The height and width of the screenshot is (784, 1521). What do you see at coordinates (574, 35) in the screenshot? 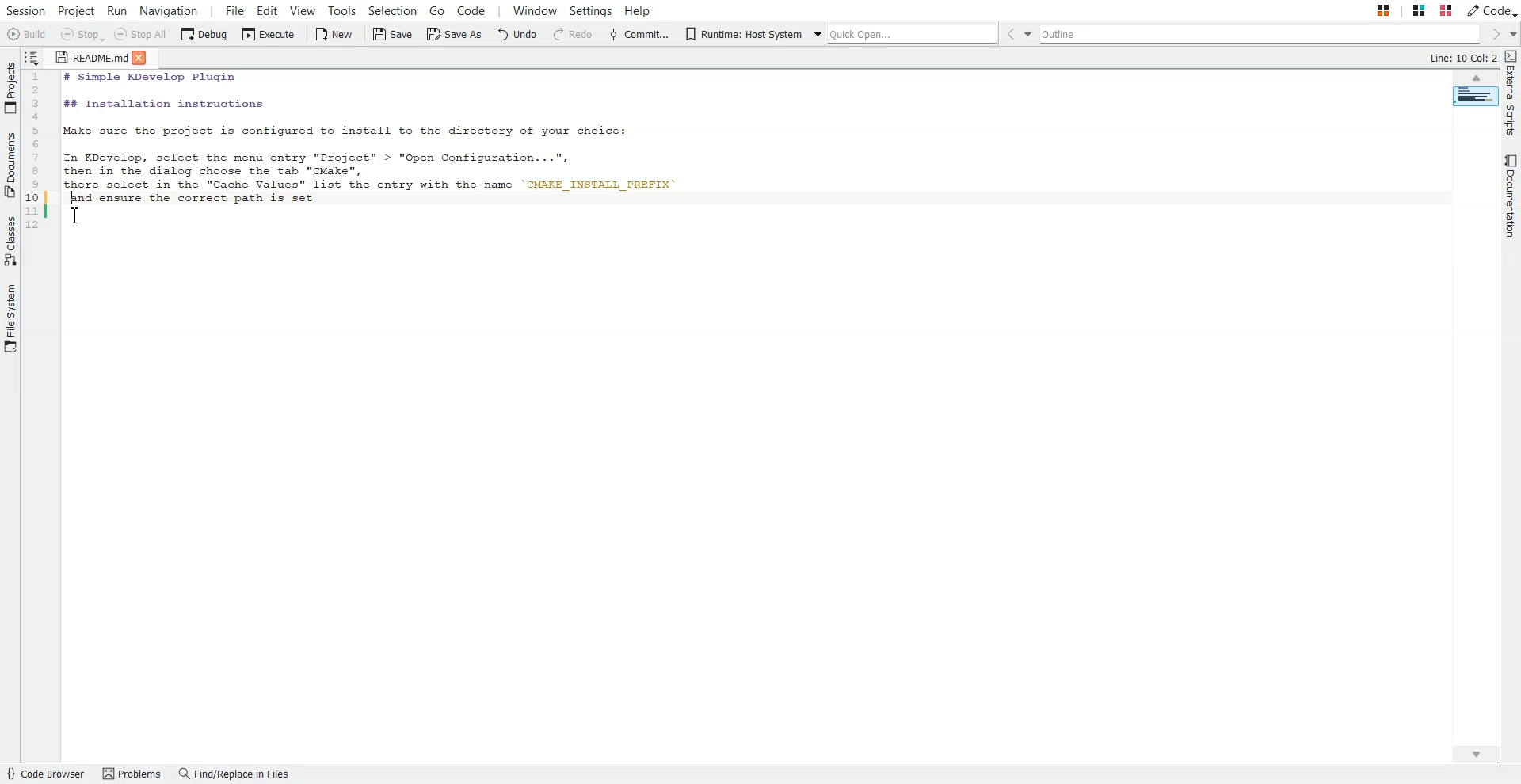
I see `Redo` at bounding box center [574, 35].